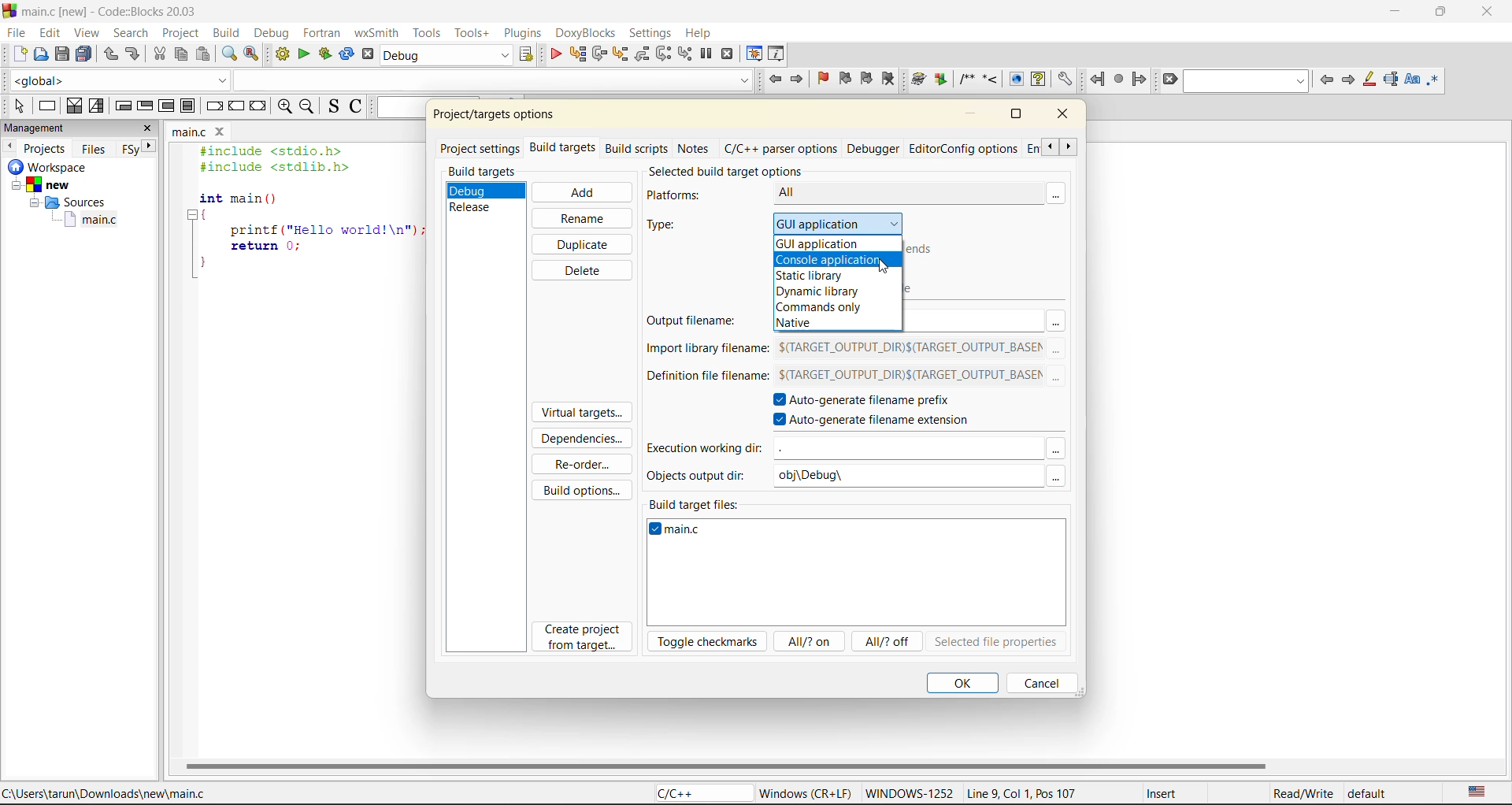 This screenshot has width=1512, height=805. What do you see at coordinates (643, 54) in the screenshot?
I see `step out` at bounding box center [643, 54].